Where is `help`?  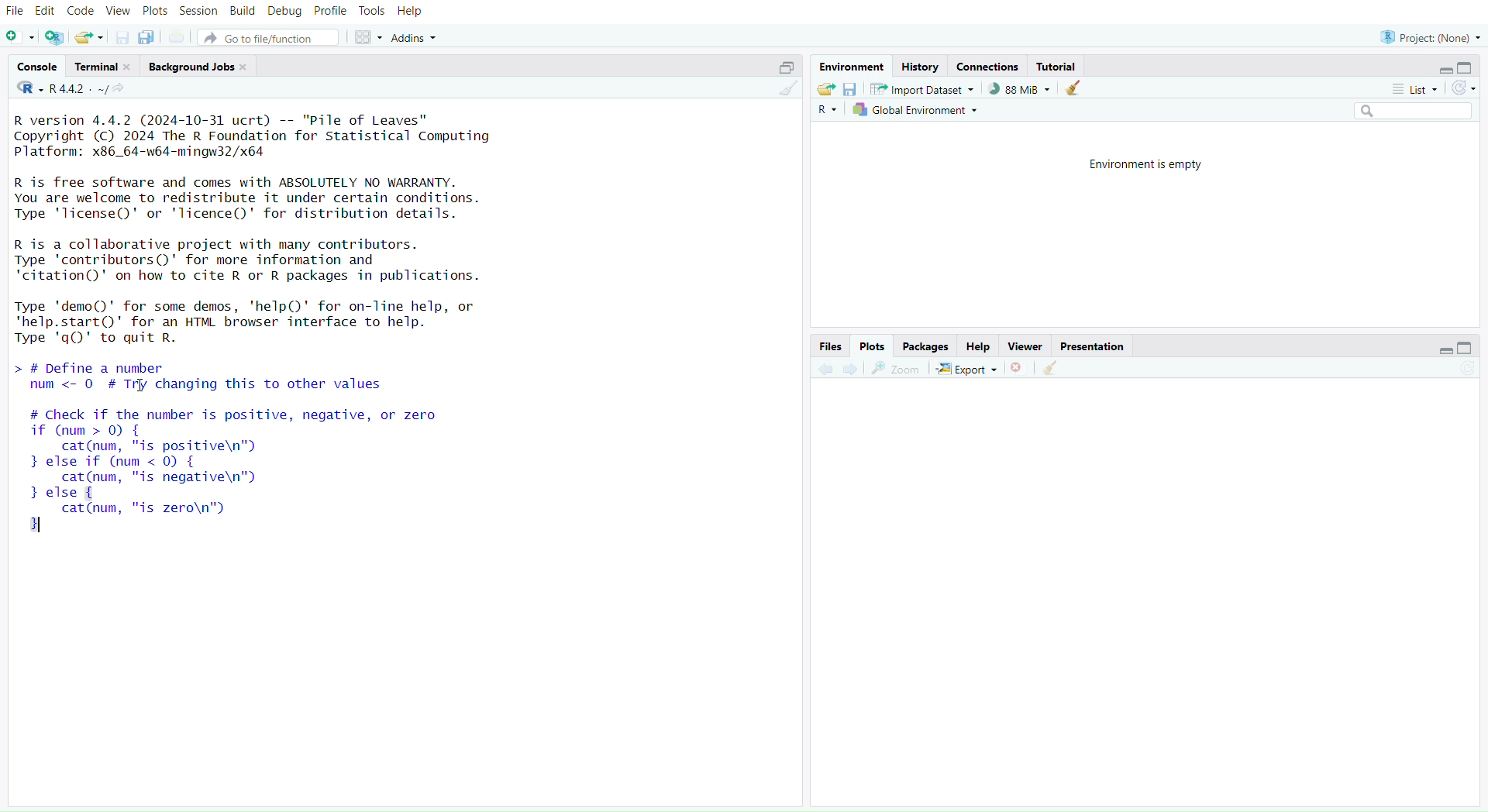
help is located at coordinates (412, 12).